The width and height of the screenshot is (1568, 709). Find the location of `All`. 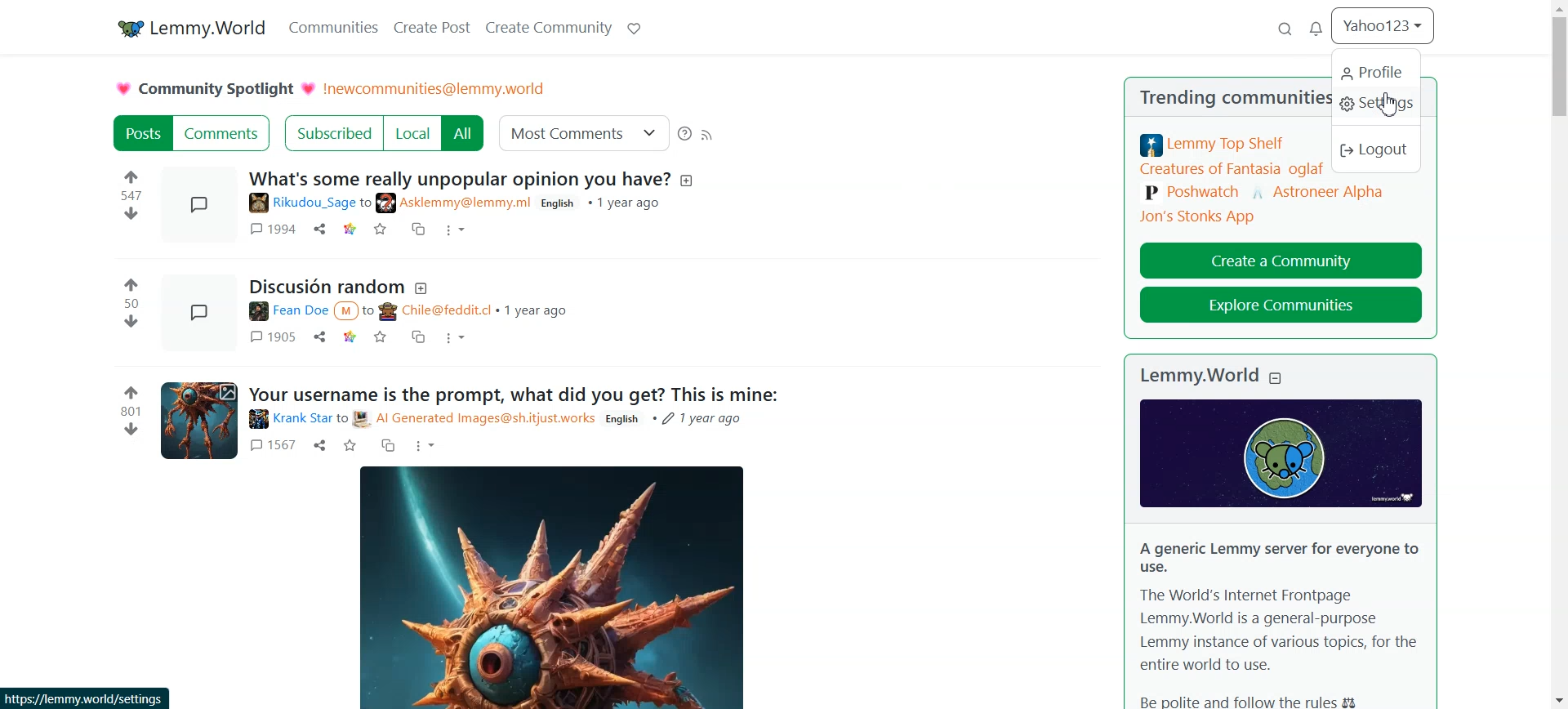

All is located at coordinates (464, 133).